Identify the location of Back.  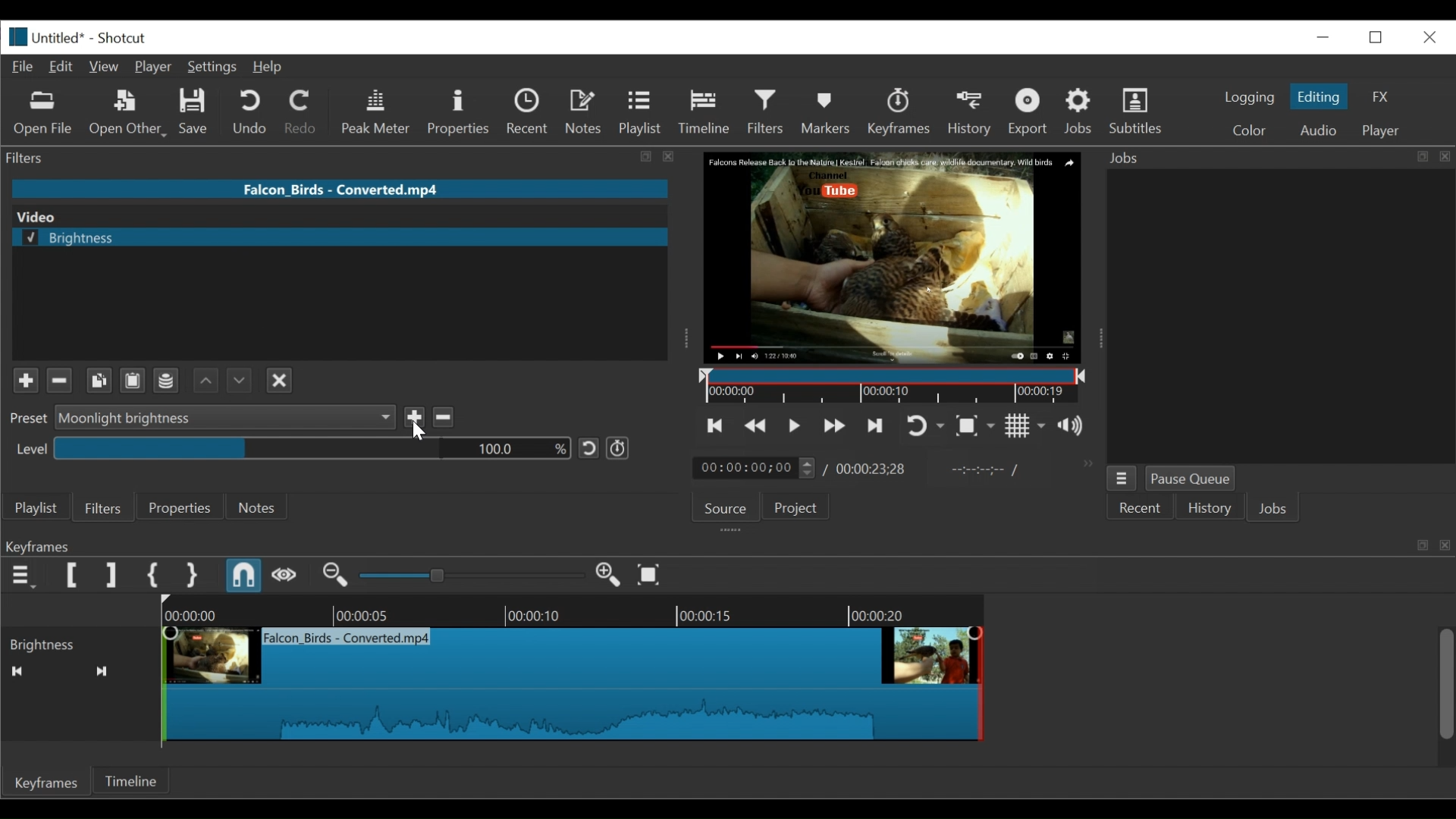
(15, 672).